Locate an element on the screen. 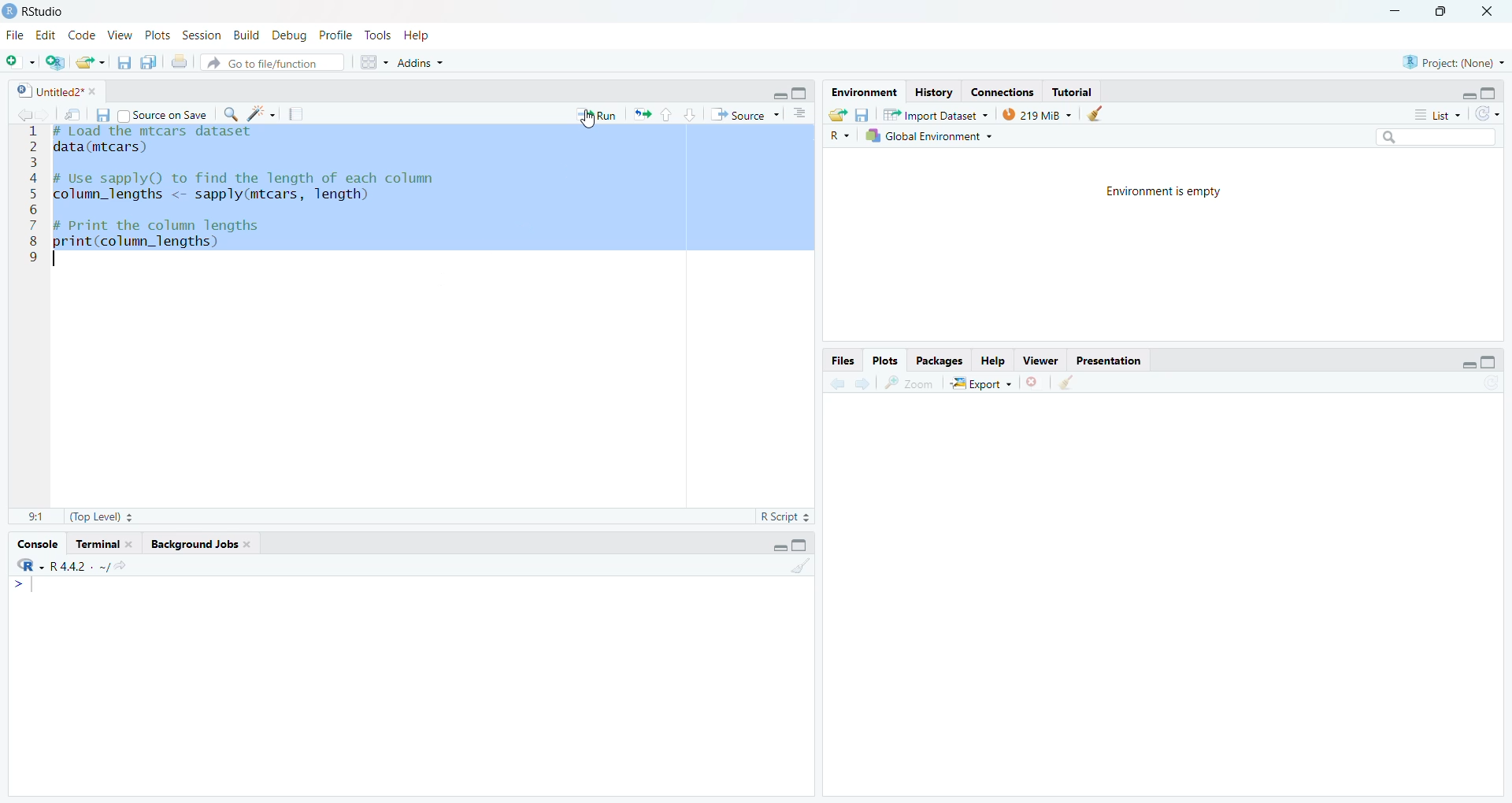  Background Jobs is located at coordinates (199, 545).